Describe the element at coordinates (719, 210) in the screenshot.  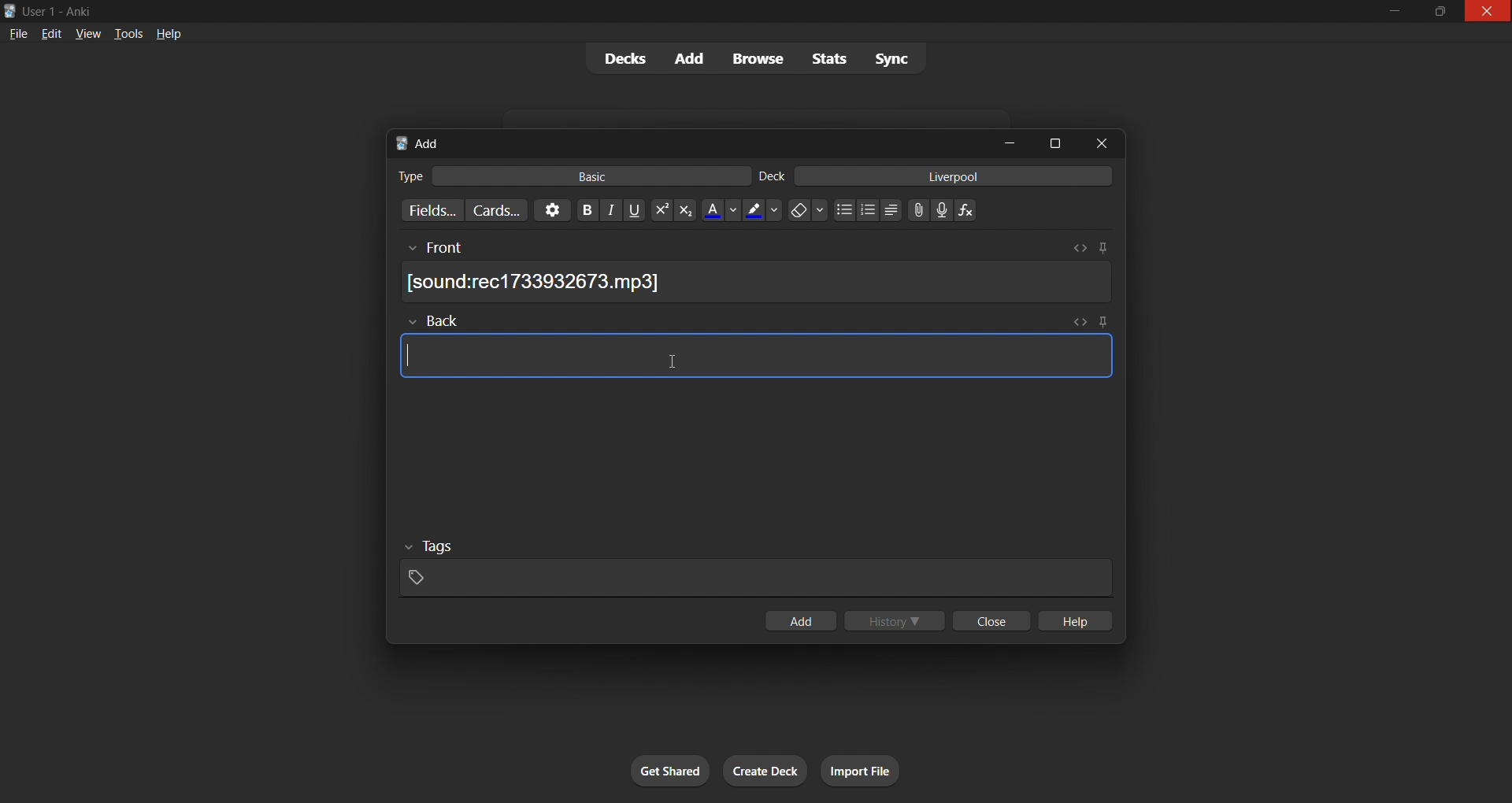
I see `text color` at that location.